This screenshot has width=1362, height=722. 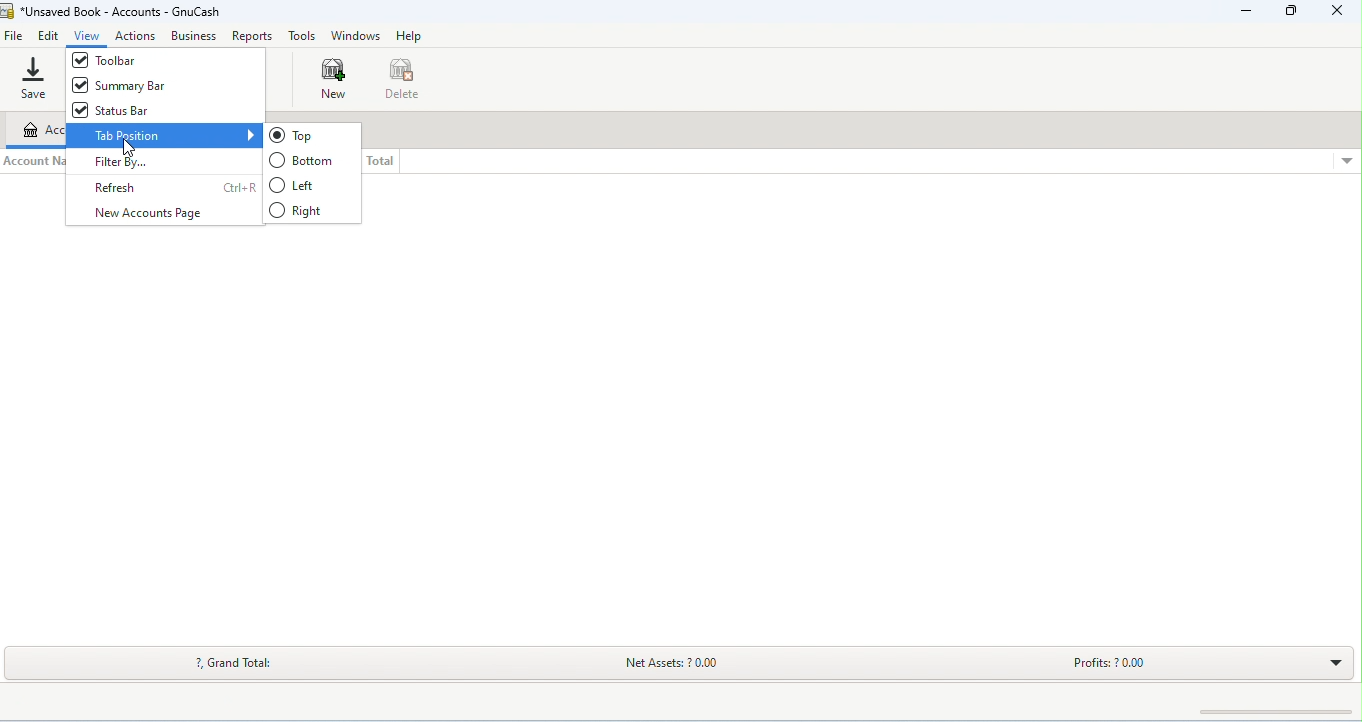 I want to click on total, so click(x=379, y=161).